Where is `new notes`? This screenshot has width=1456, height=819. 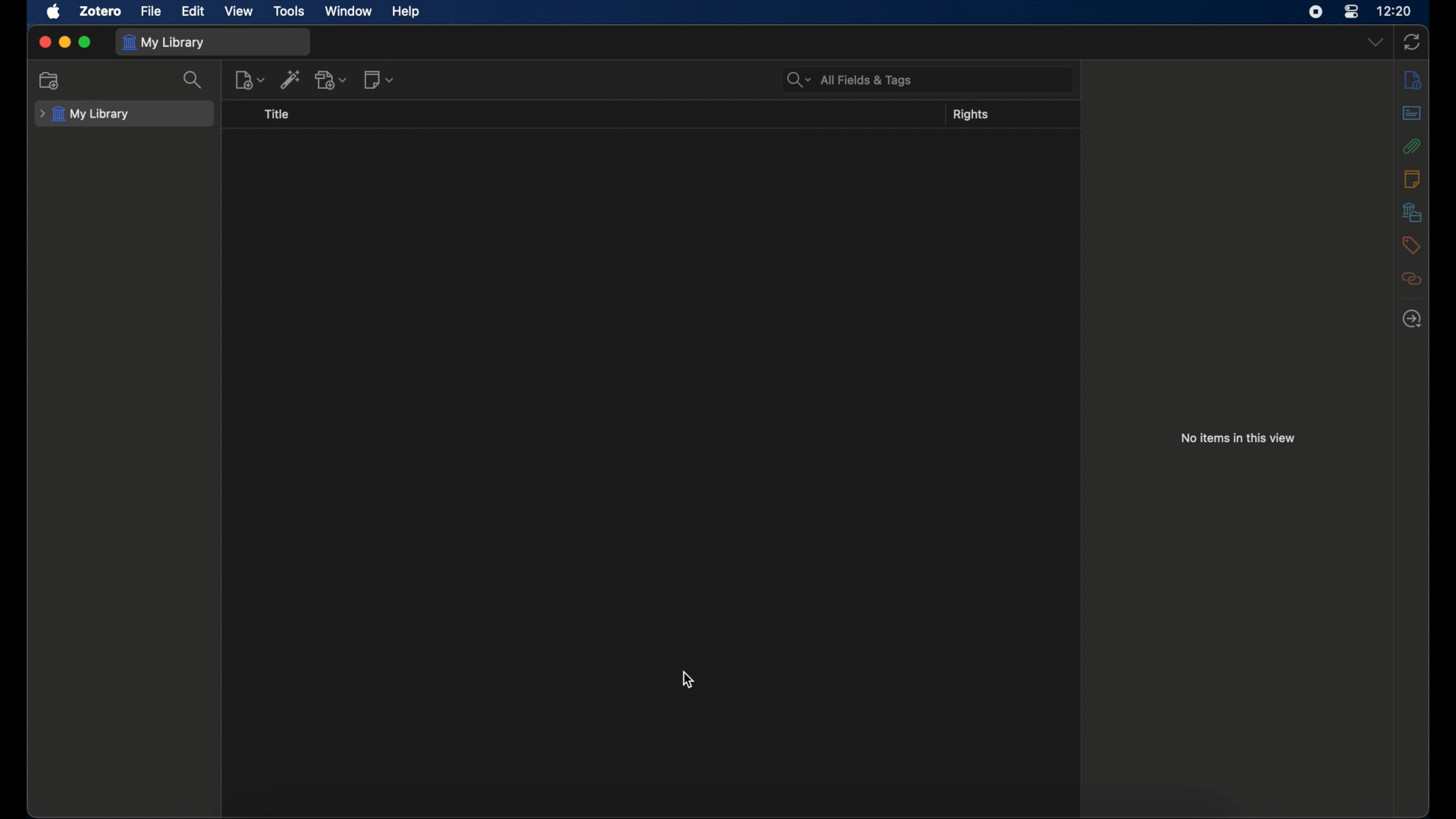 new notes is located at coordinates (379, 80).